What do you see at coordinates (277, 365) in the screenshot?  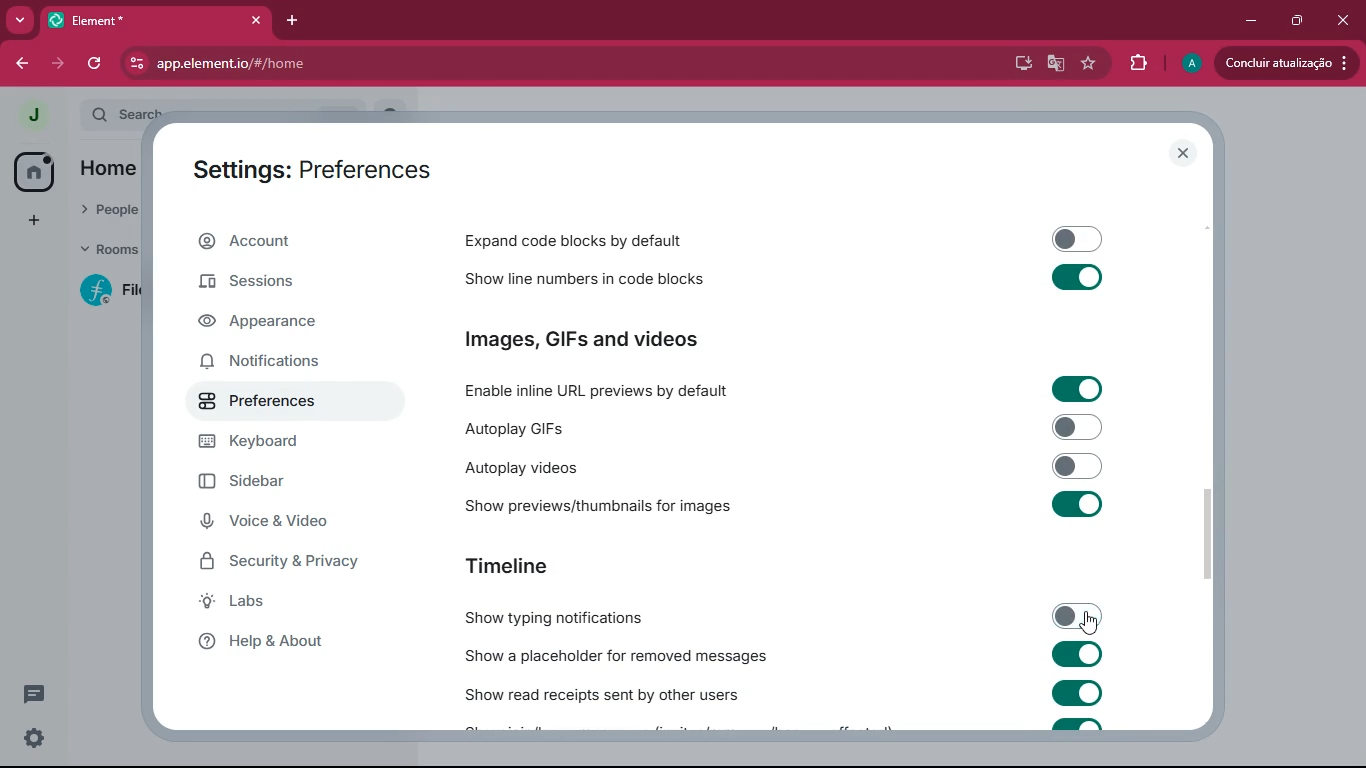 I see `notifications` at bounding box center [277, 365].